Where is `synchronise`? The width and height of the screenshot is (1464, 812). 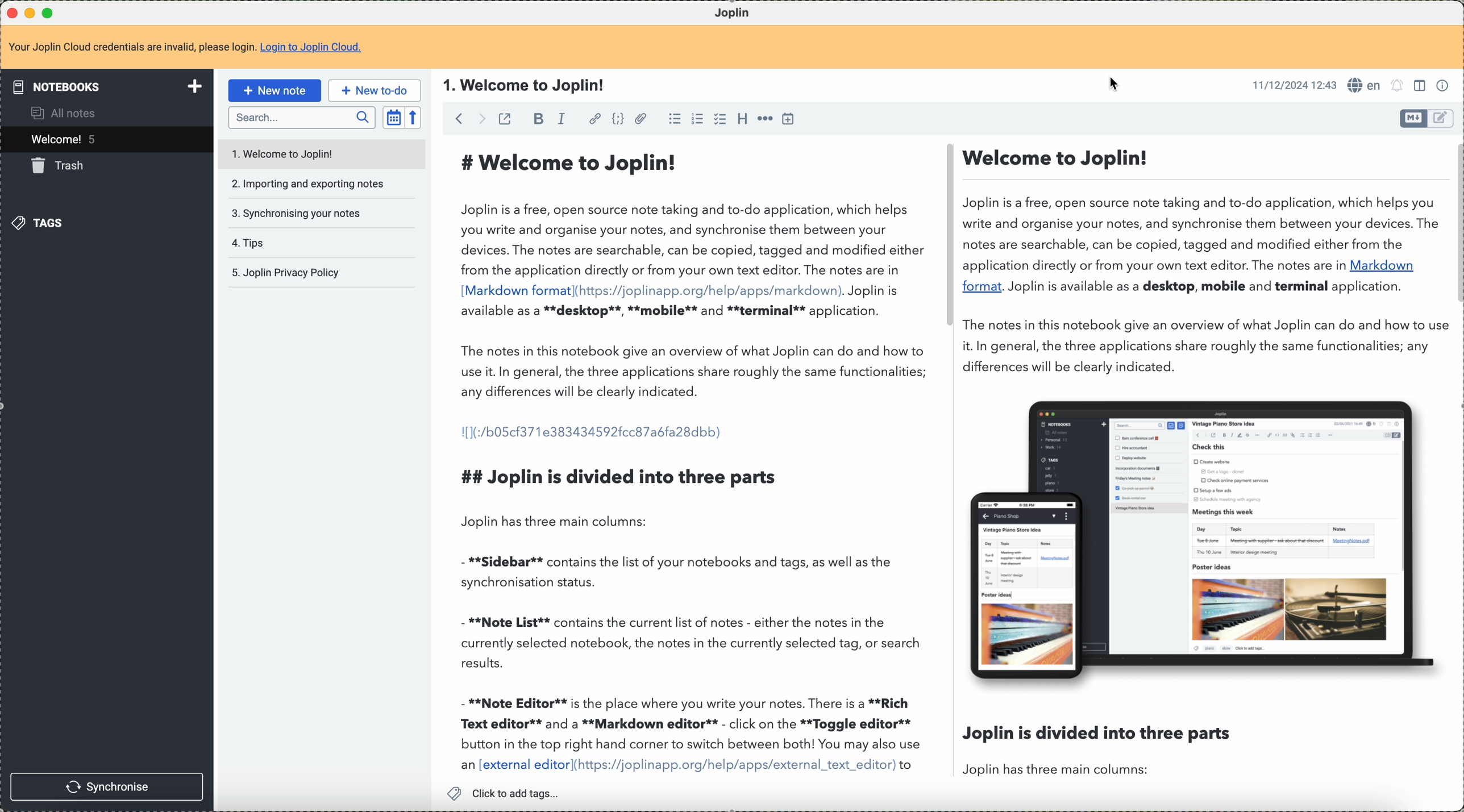
synchronise is located at coordinates (107, 786).